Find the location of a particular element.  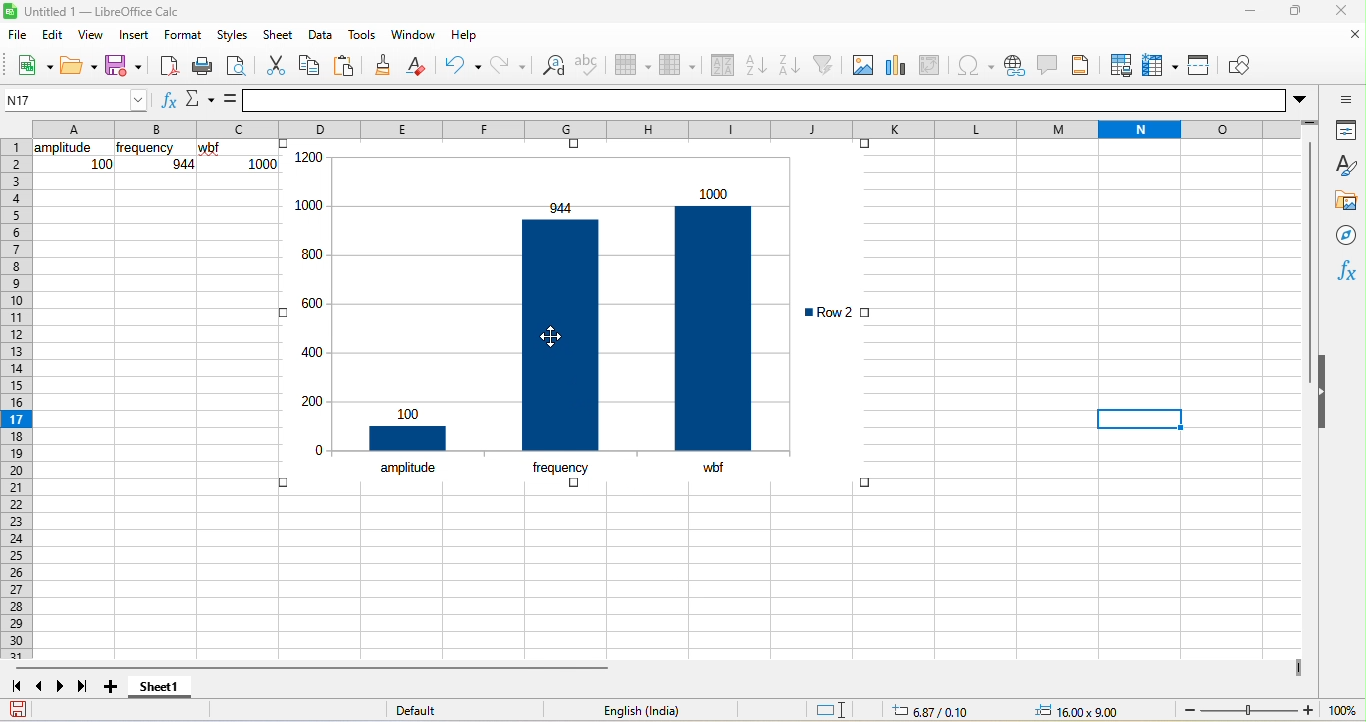

find and replace is located at coordinates (554, 67).